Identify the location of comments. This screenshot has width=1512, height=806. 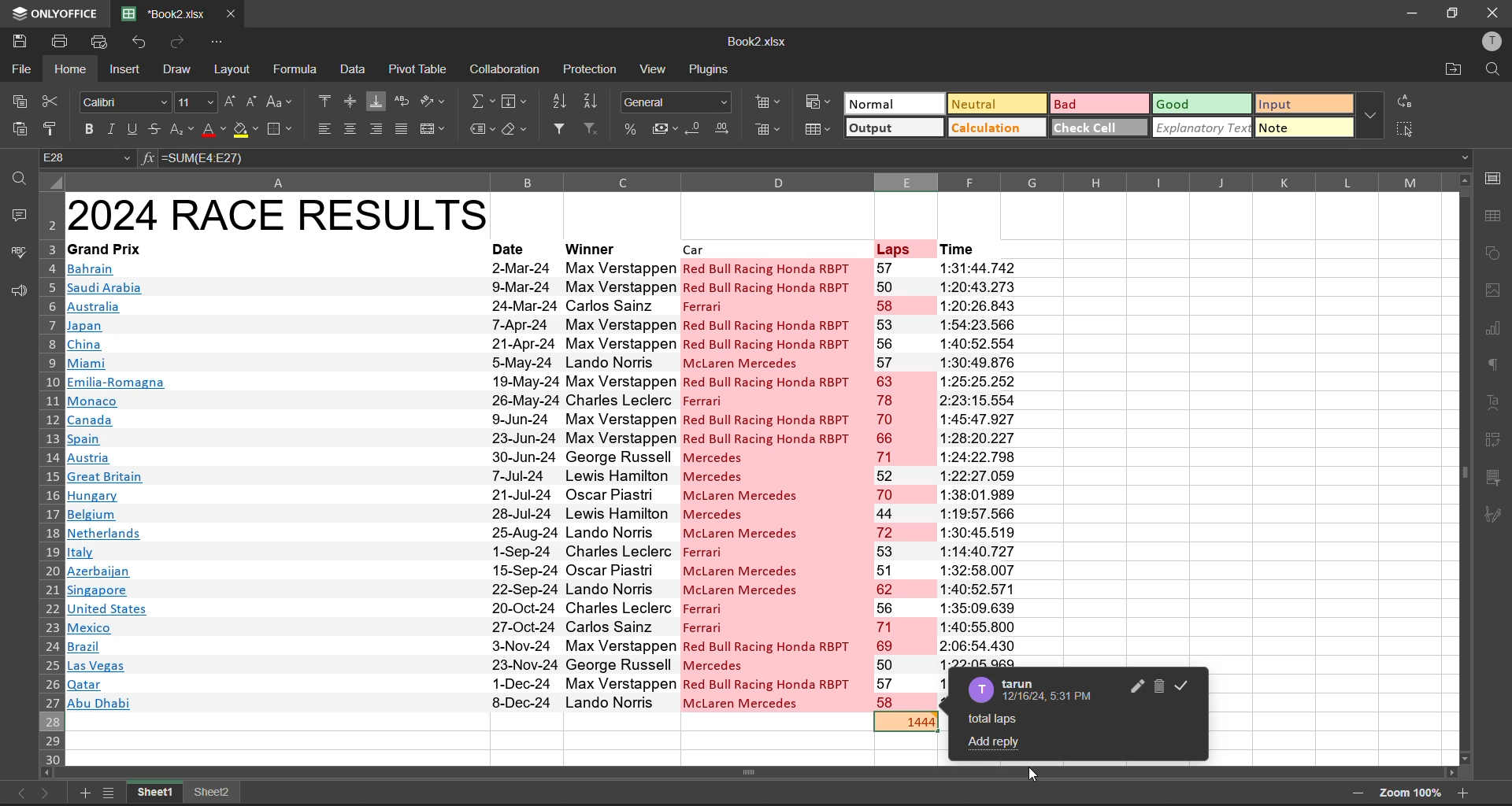
(18, 216).